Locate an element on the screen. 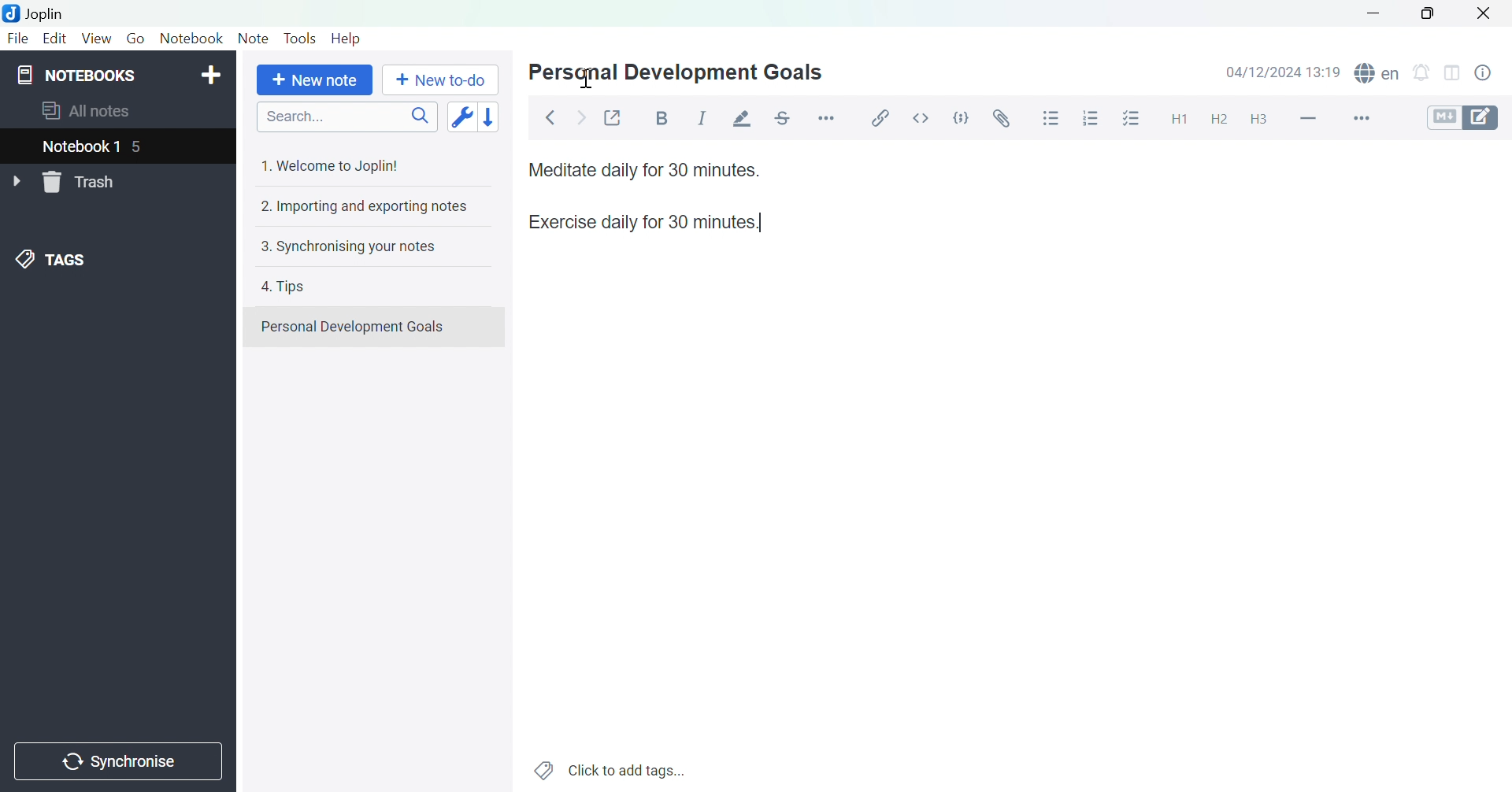 This screenshot has height=792, width=1512. Note is located at coordinates (252, 39).